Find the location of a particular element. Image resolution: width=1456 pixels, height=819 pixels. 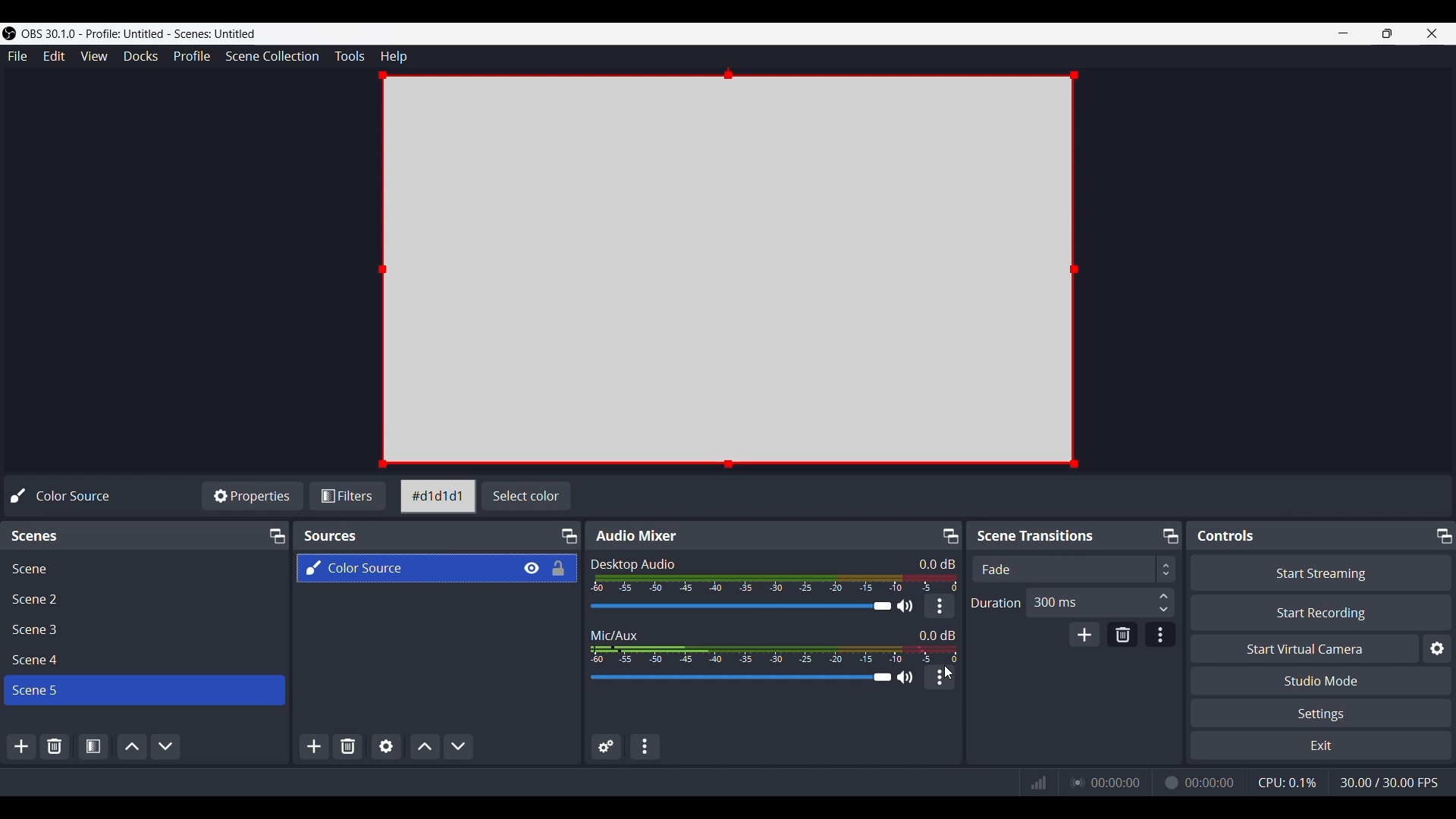

Change canvas color is located at coordinates (526, 496).